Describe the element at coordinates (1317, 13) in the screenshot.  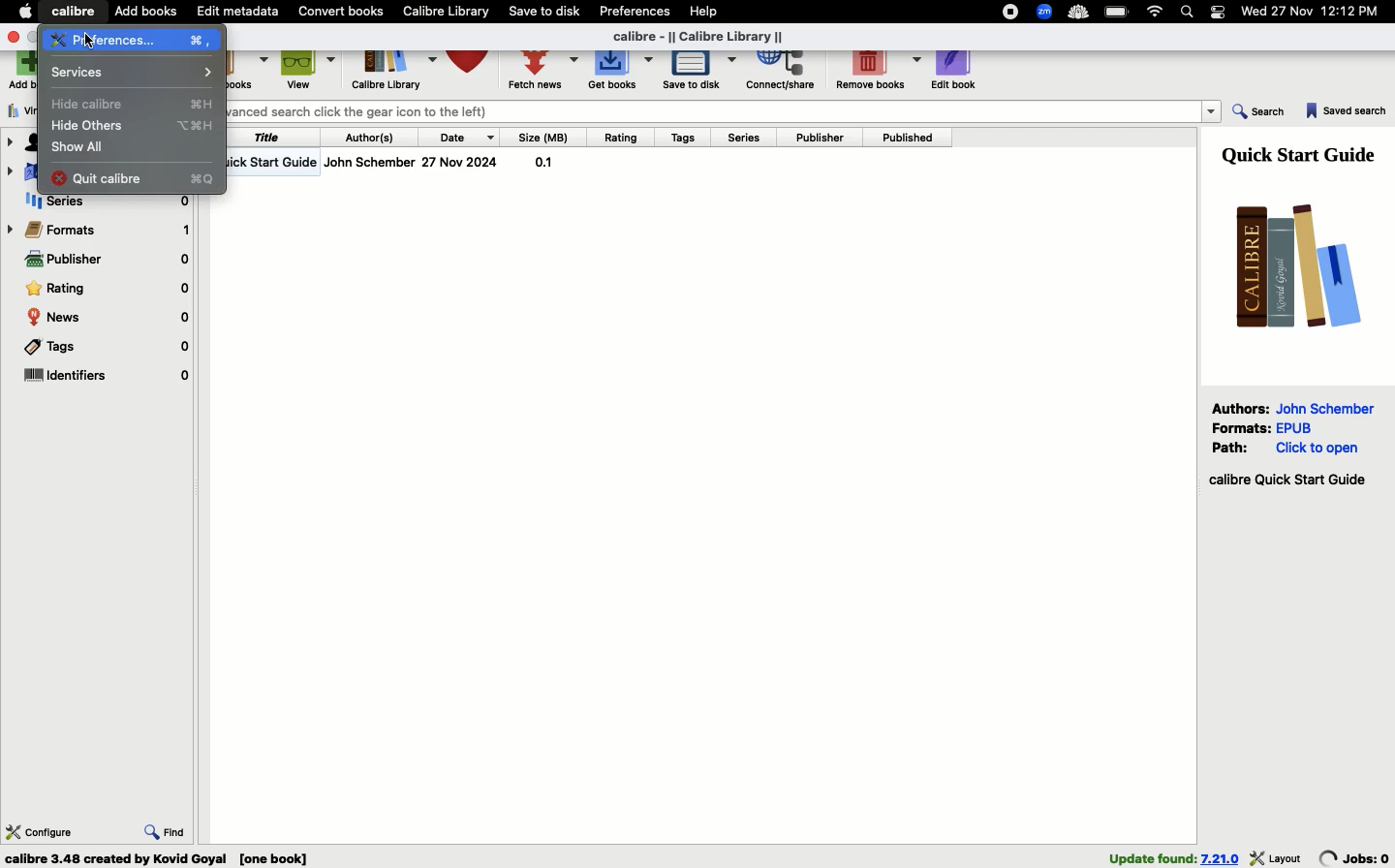
I see `Date` at that location.